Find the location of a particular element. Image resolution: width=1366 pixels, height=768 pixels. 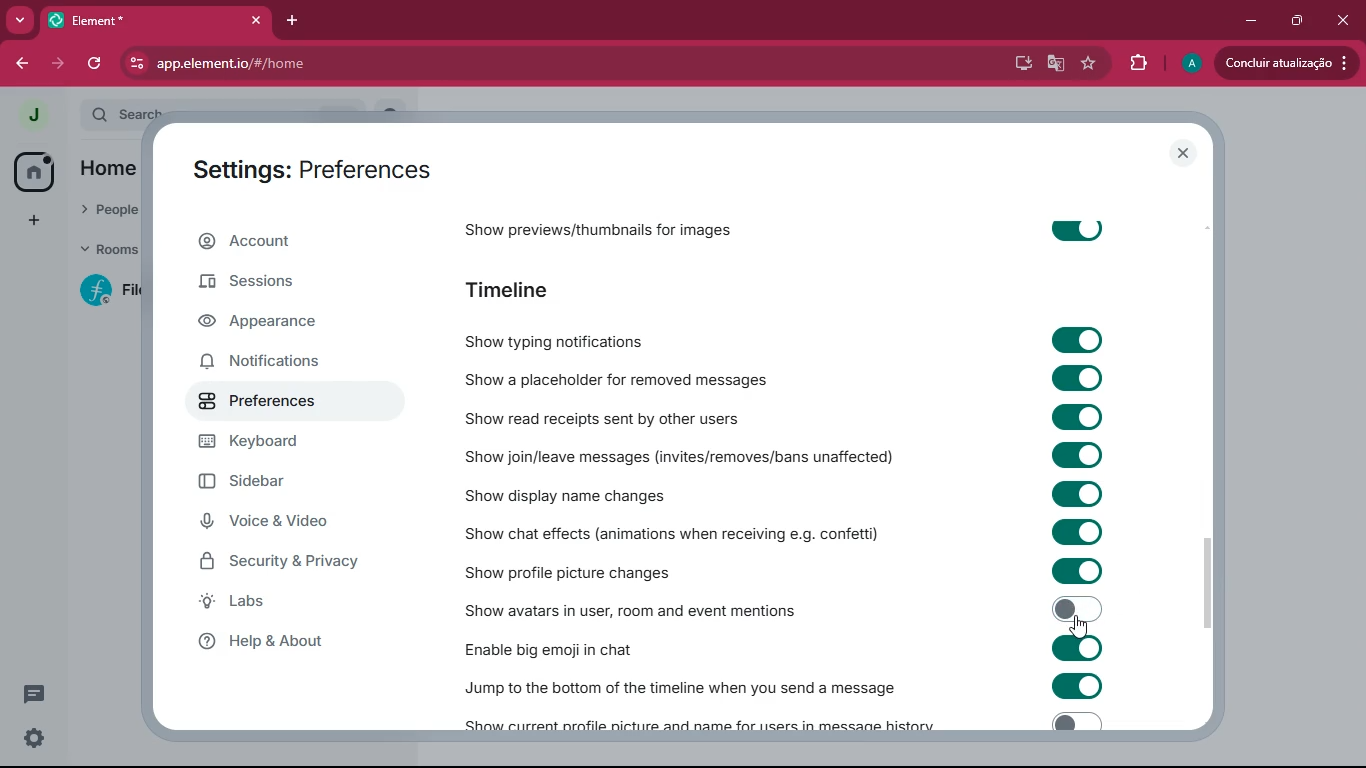

settings is located at coordinates (34, 740).